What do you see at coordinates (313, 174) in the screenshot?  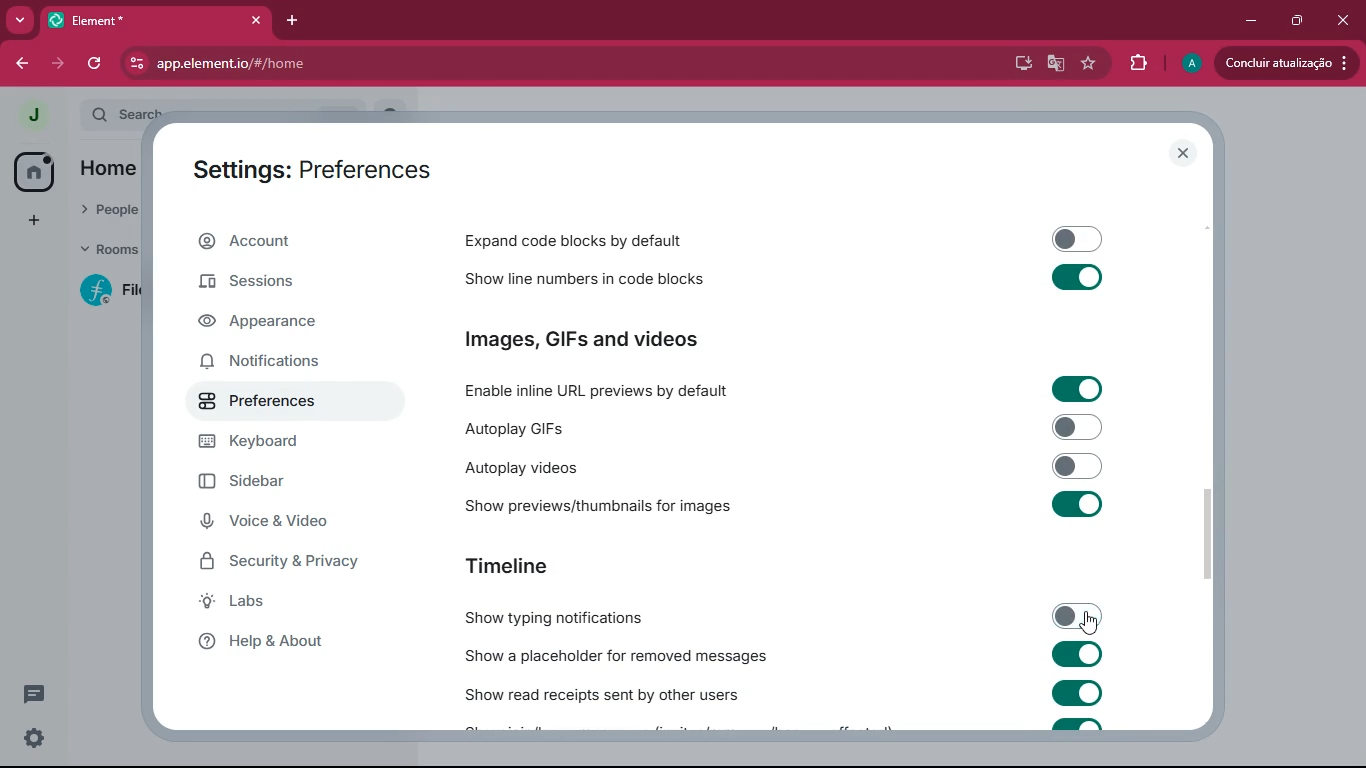 I see `settings: preferences` at bounding box center [313, 174].